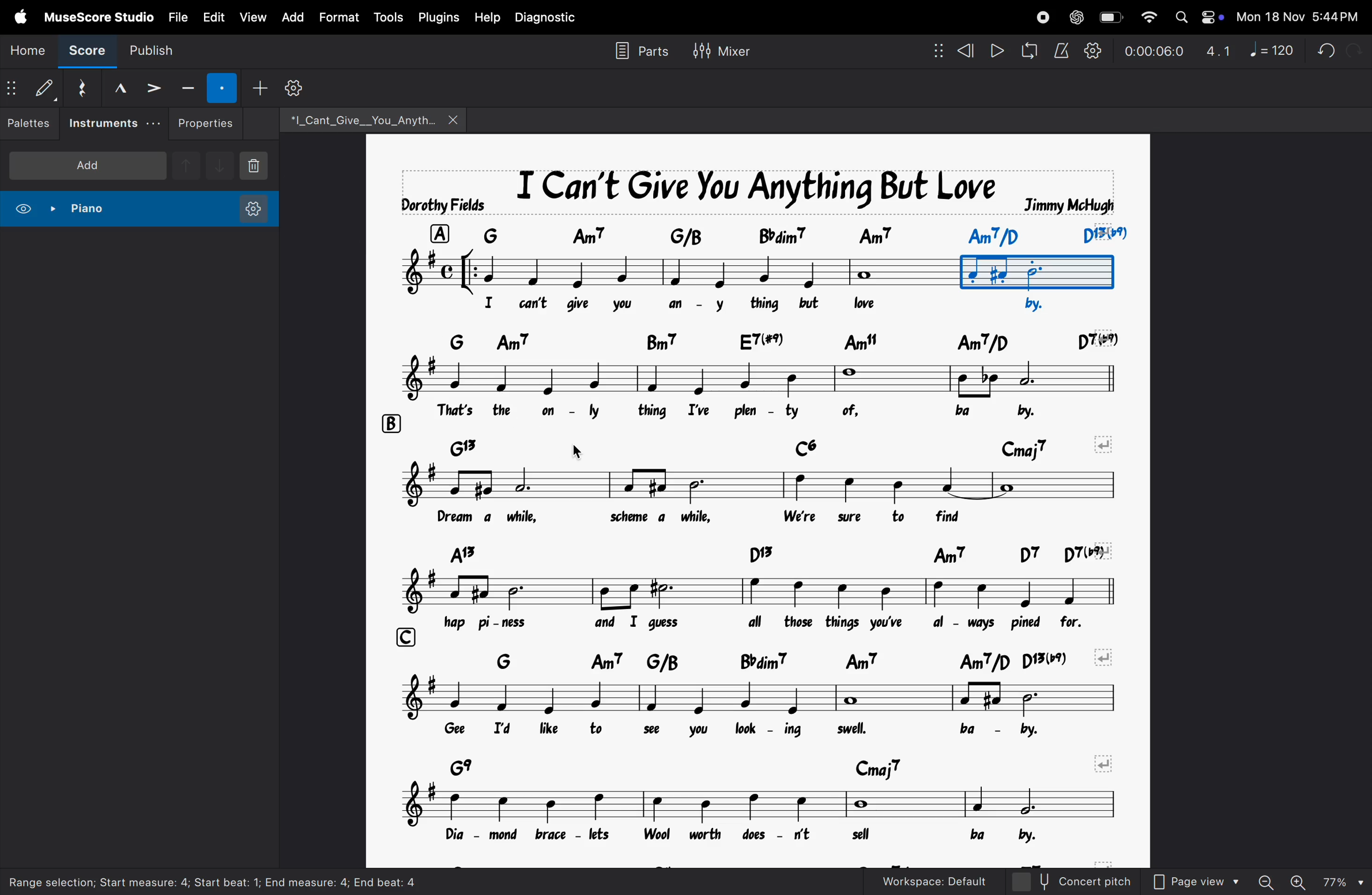 The image size is (1372, 895). I want to click on score, so click(84, 54).